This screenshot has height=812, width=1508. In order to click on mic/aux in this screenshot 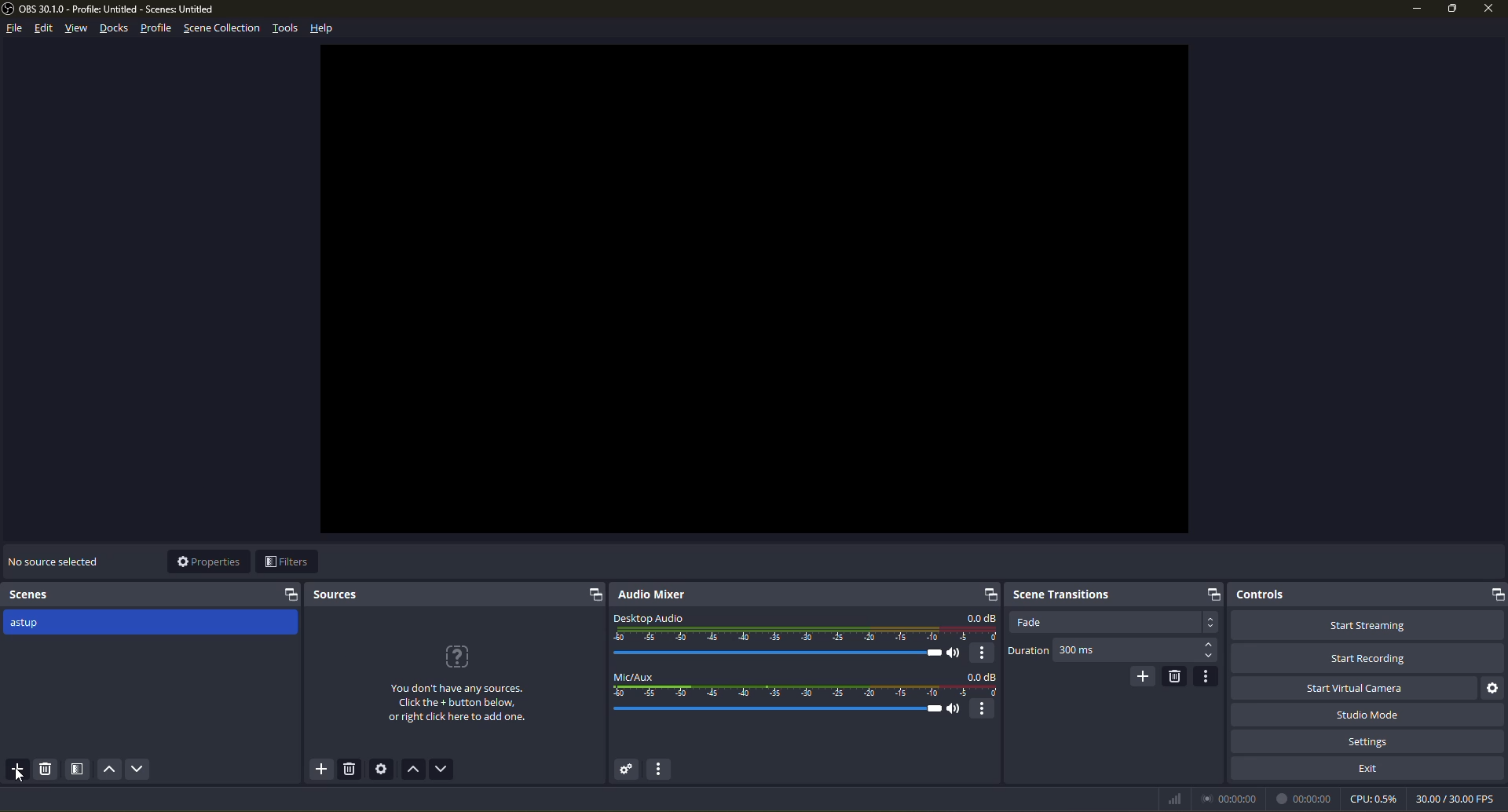, I will do `click(632, 677)`.